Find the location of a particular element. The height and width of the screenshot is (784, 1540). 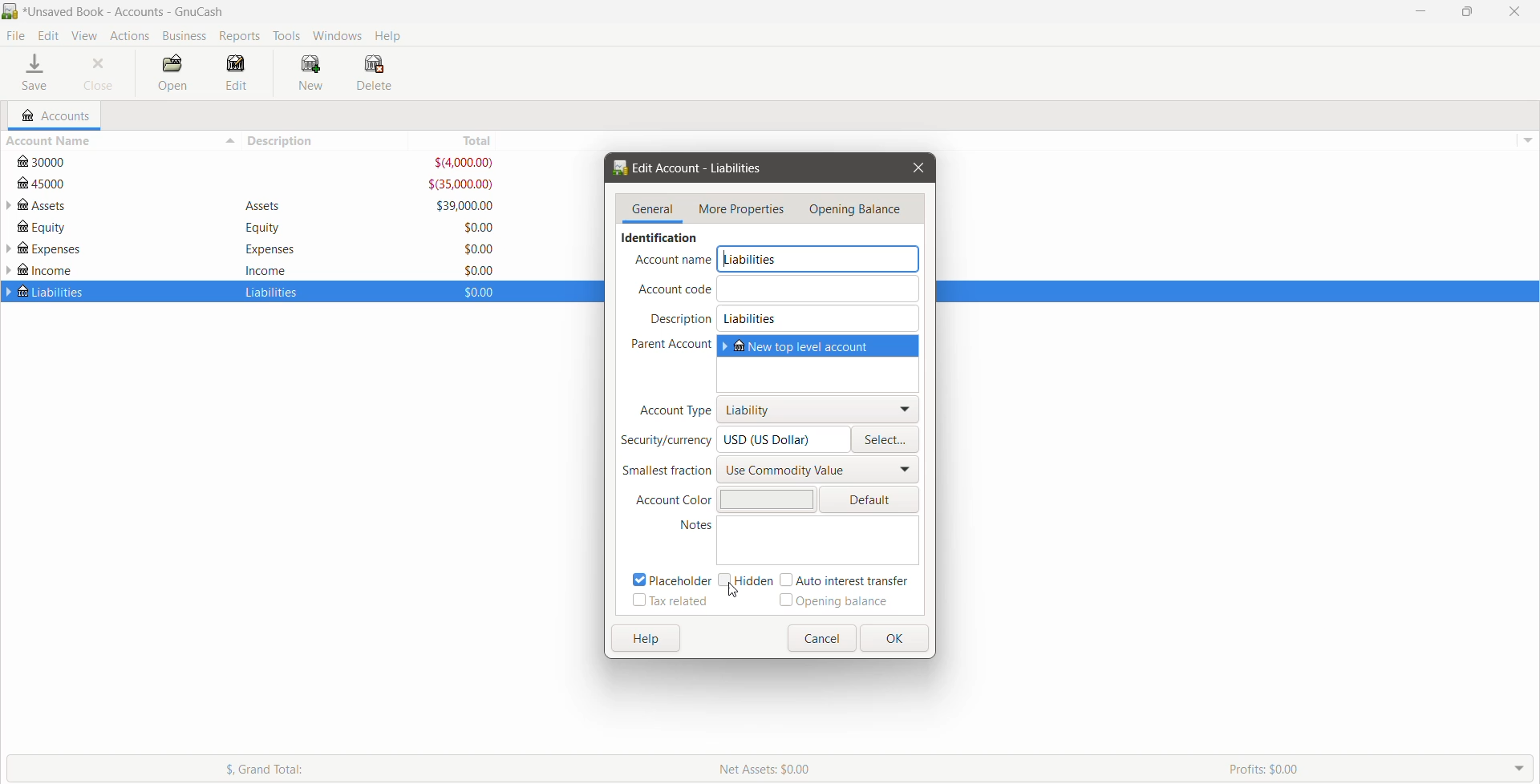

Accounts is located at coordinates (54, 115).